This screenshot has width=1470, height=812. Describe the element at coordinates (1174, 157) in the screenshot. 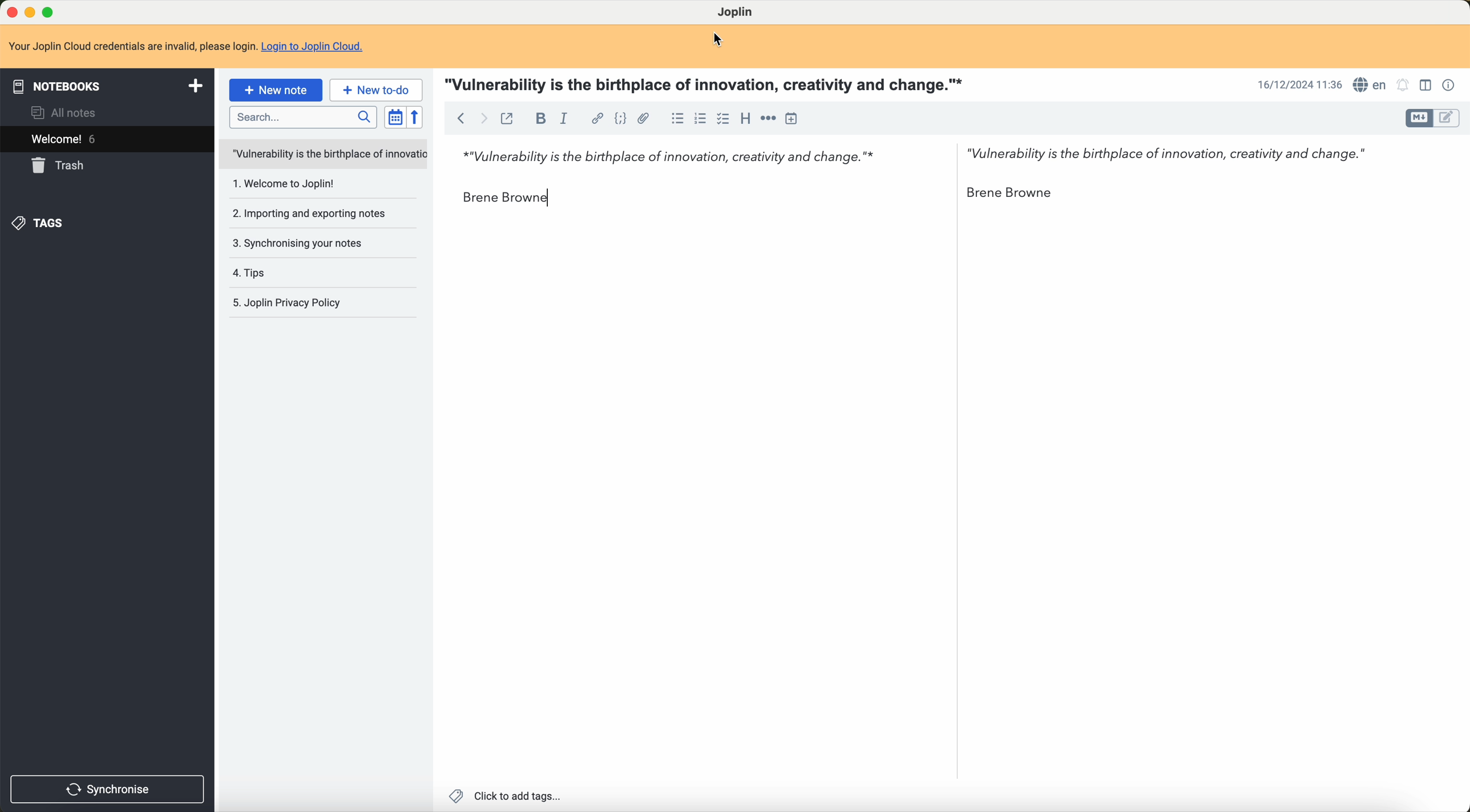

I see `"Vulnerability is the birthplace of innovation, creativity and change."` at that location.